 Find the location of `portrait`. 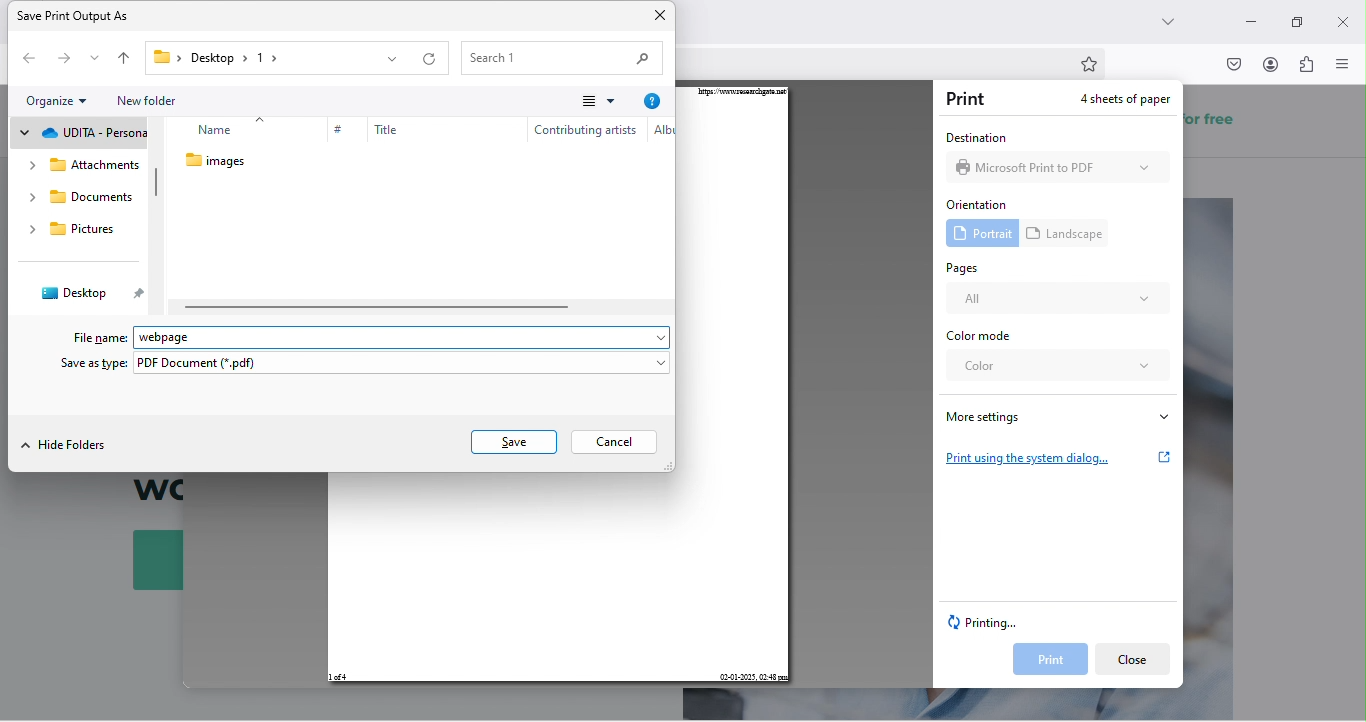

portrait is located at coordinates (977, 234).